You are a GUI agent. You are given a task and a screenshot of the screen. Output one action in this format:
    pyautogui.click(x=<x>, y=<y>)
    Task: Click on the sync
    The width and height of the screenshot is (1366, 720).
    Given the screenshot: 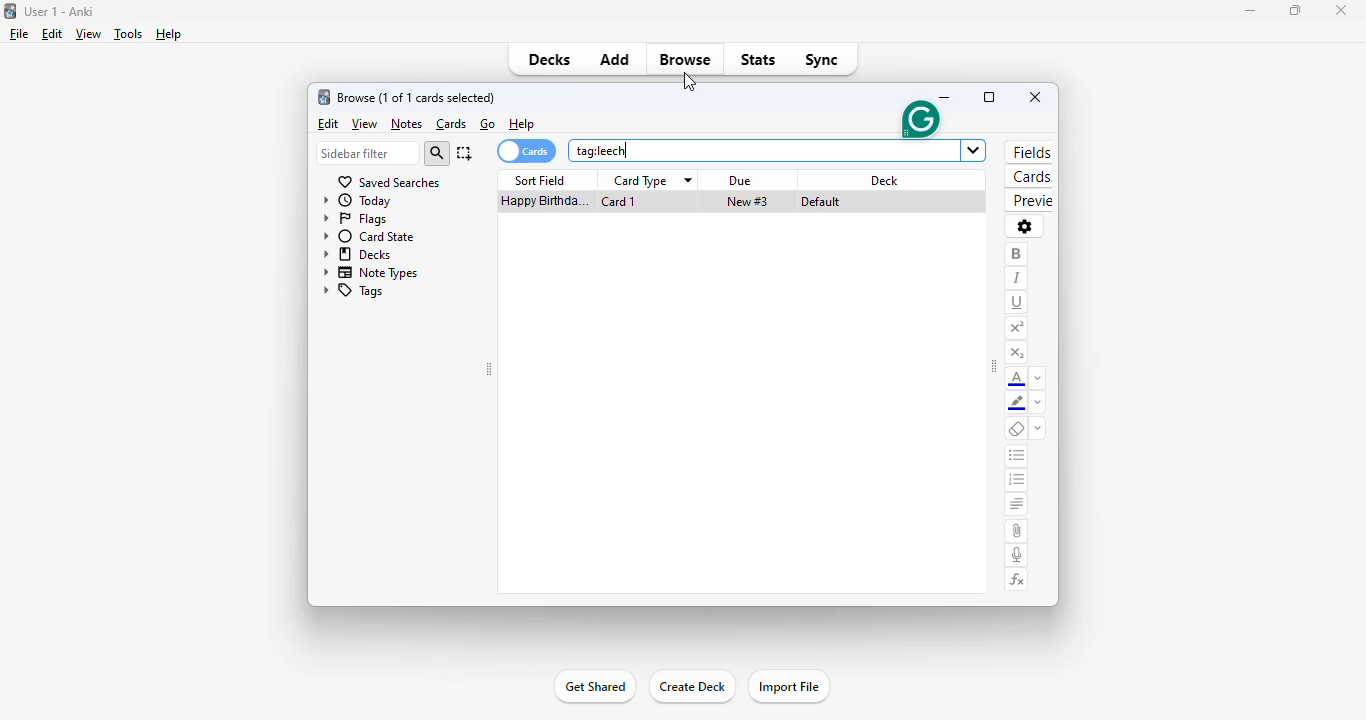 What is the action you would take?
    pyautogui.click(x=823, y=60)
    